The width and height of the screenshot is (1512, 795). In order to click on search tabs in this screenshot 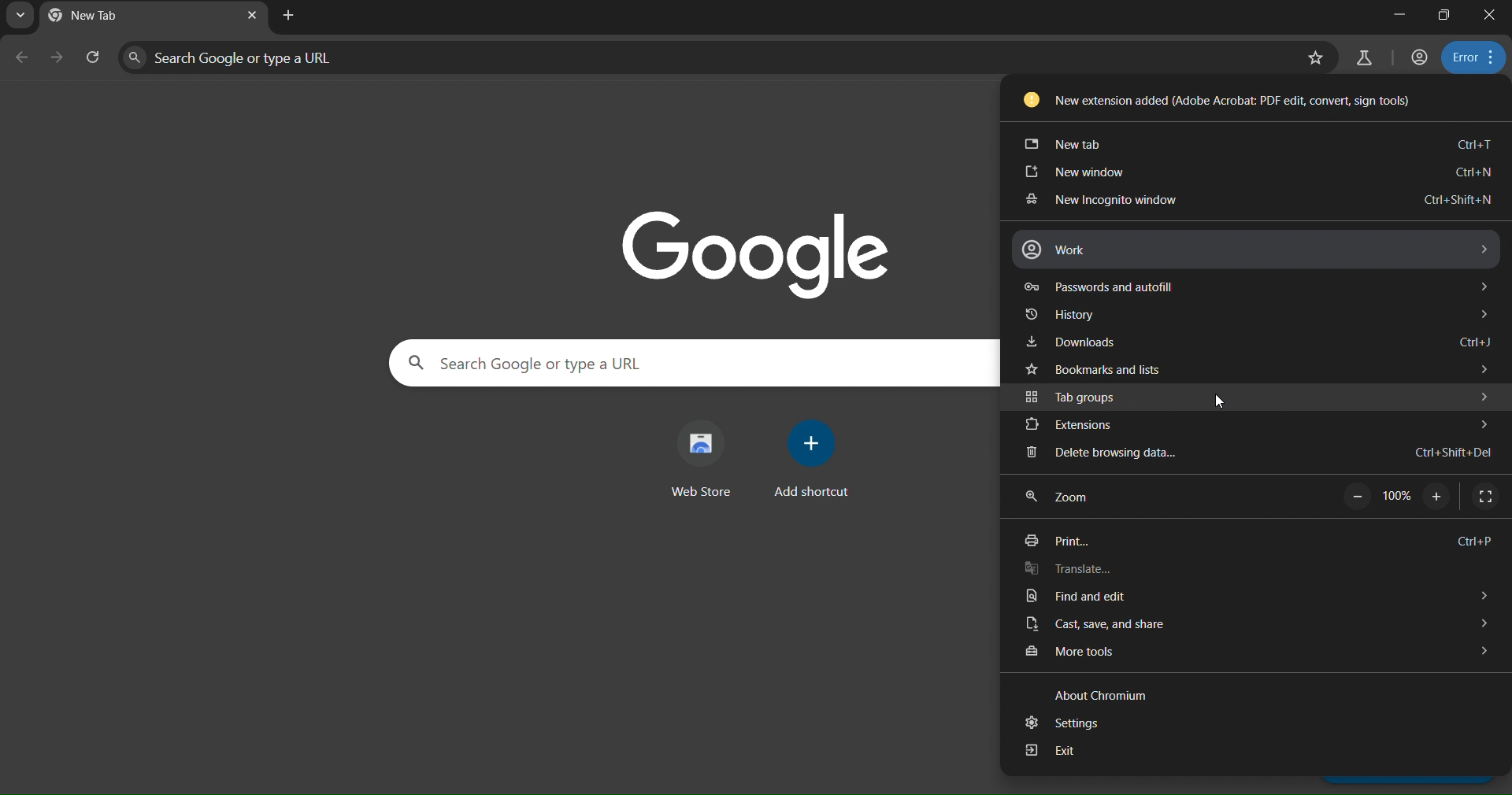, I will do `click(24, 17)`.